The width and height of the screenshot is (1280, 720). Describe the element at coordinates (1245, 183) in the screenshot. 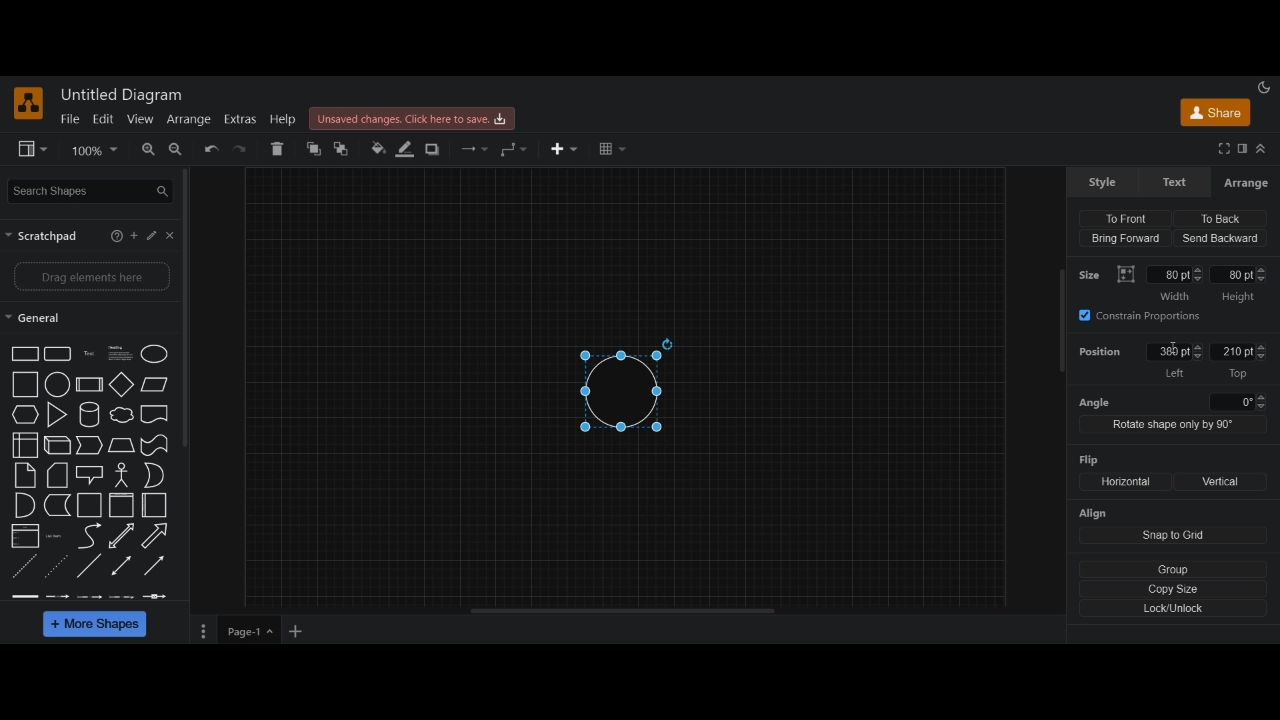

I see `arrange` at that location.